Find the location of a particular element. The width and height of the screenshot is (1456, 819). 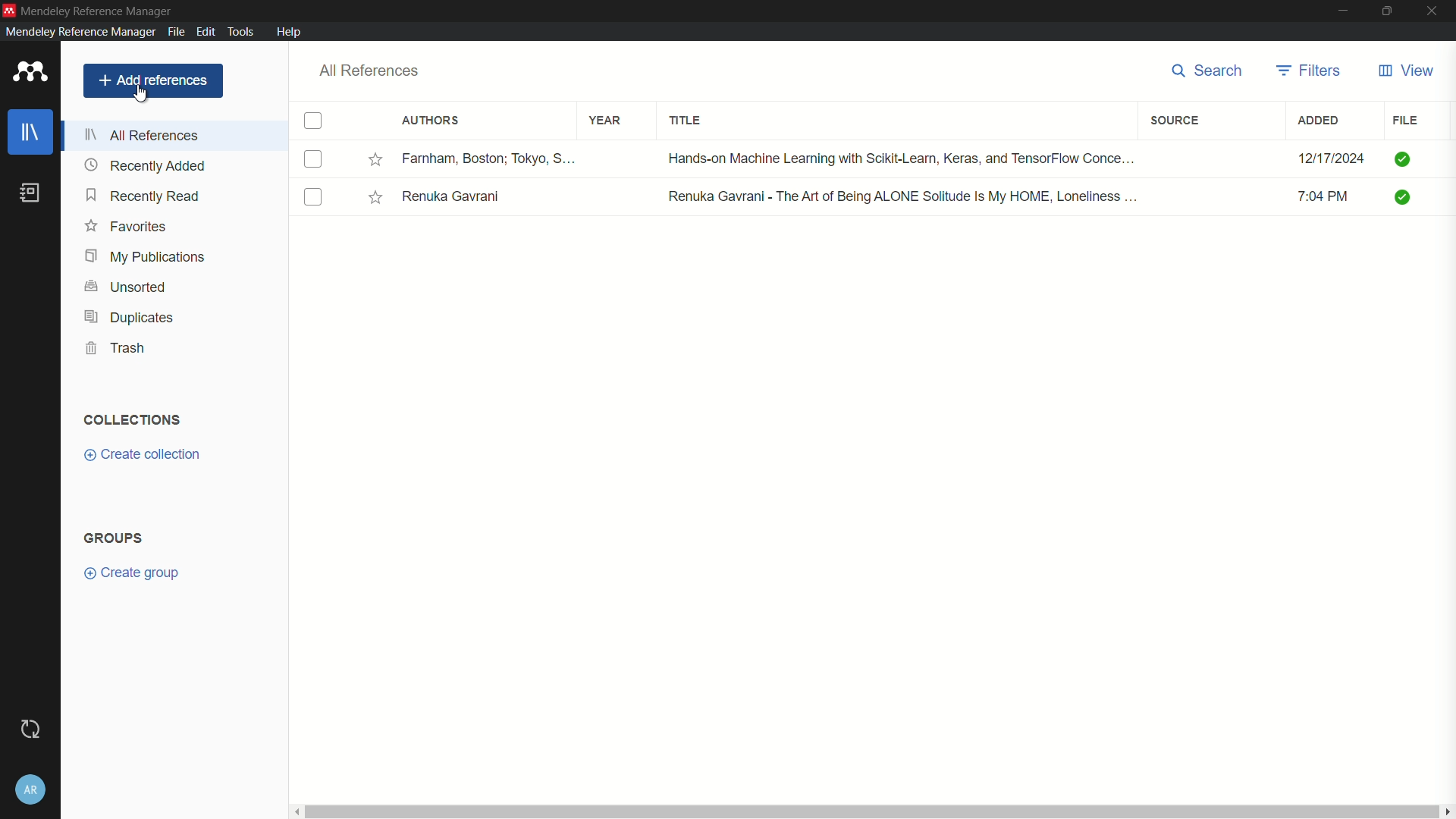

notebook is located at coordinates (30, 193).